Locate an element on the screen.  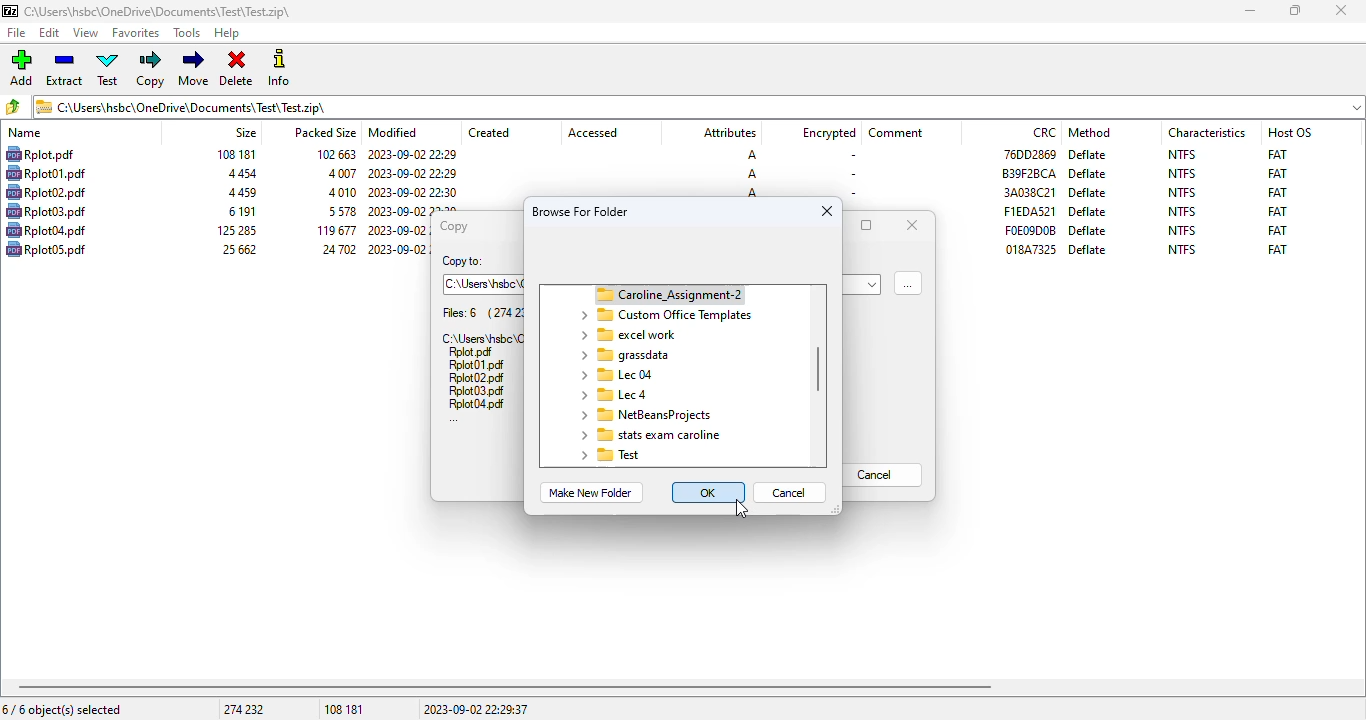
file is located at coordinates (18, 33).